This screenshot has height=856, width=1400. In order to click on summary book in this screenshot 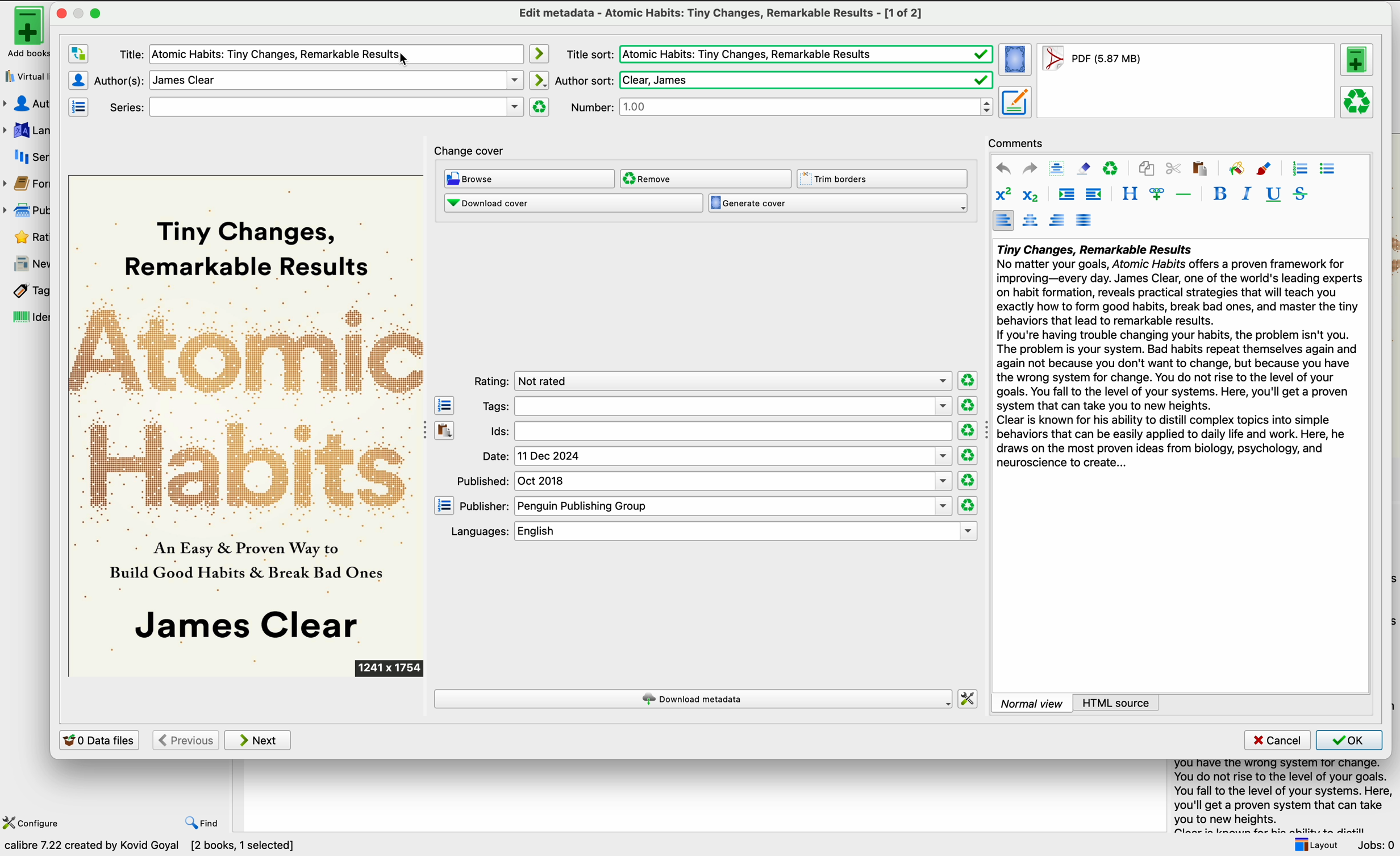, I will do `click(1278, 794)`.